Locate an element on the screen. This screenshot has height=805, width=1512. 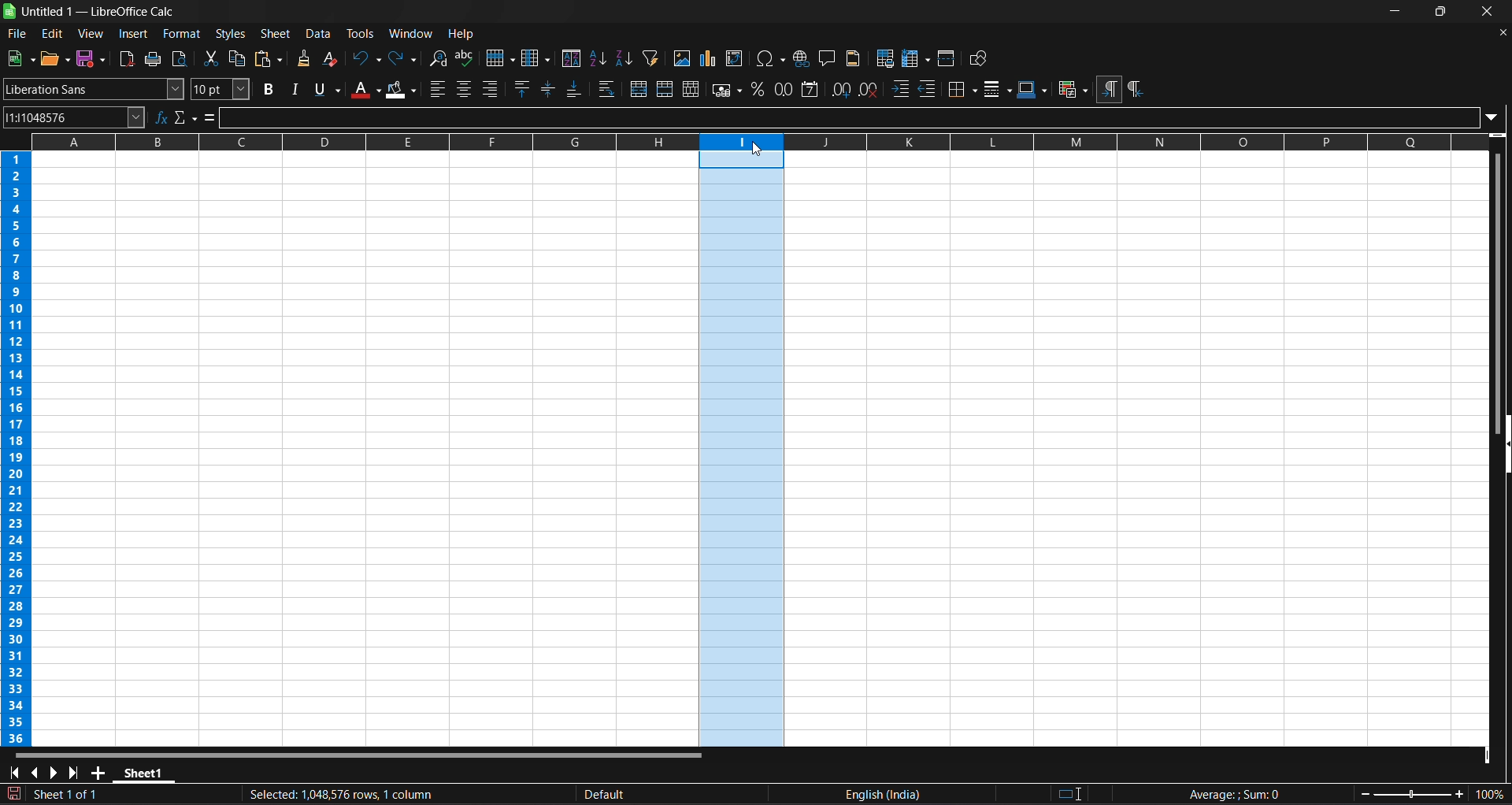
sort is located at coordinates (570, 57).